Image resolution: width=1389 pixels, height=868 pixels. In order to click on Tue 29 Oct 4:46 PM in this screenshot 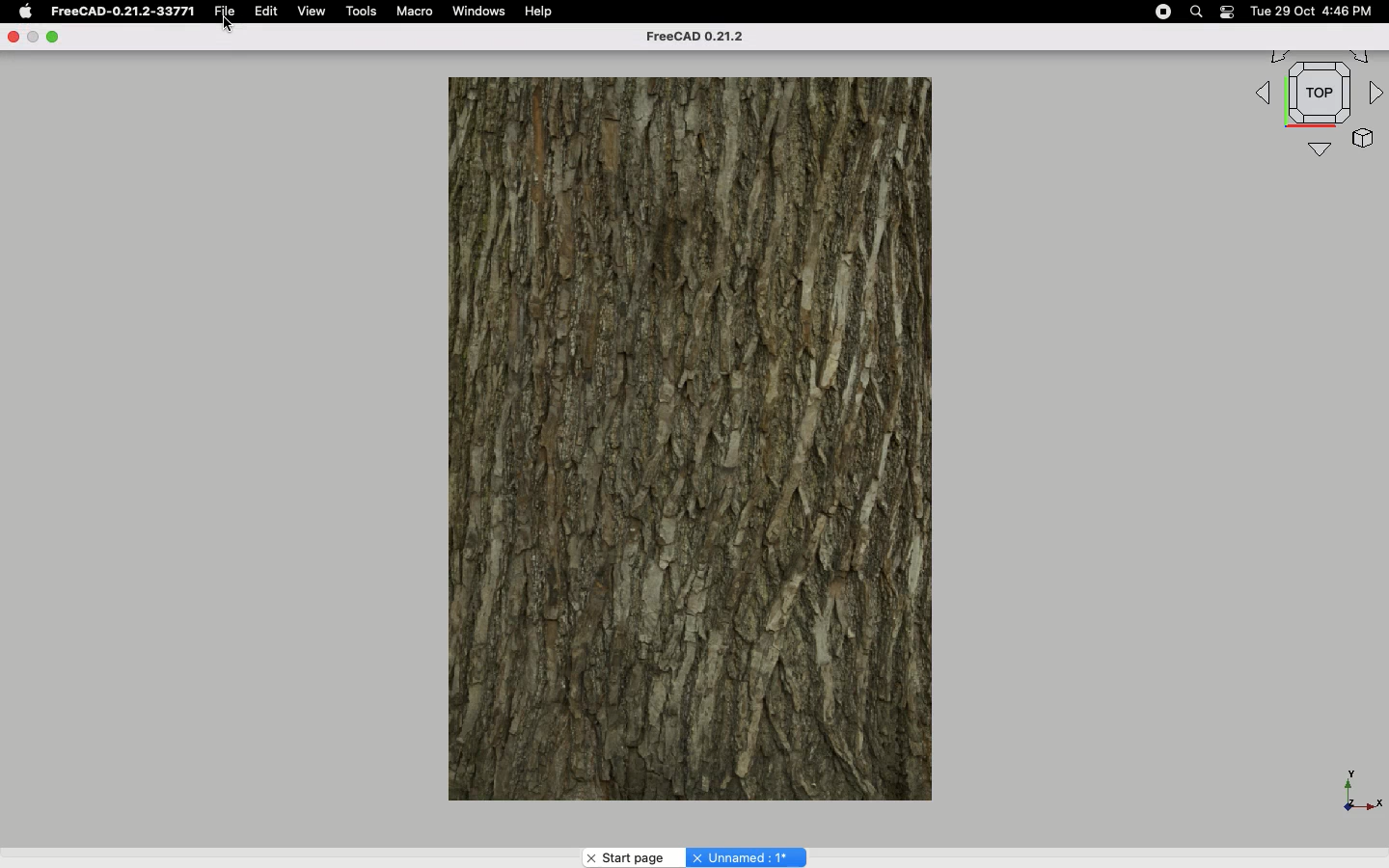, I will do `click(1308, 12)`.